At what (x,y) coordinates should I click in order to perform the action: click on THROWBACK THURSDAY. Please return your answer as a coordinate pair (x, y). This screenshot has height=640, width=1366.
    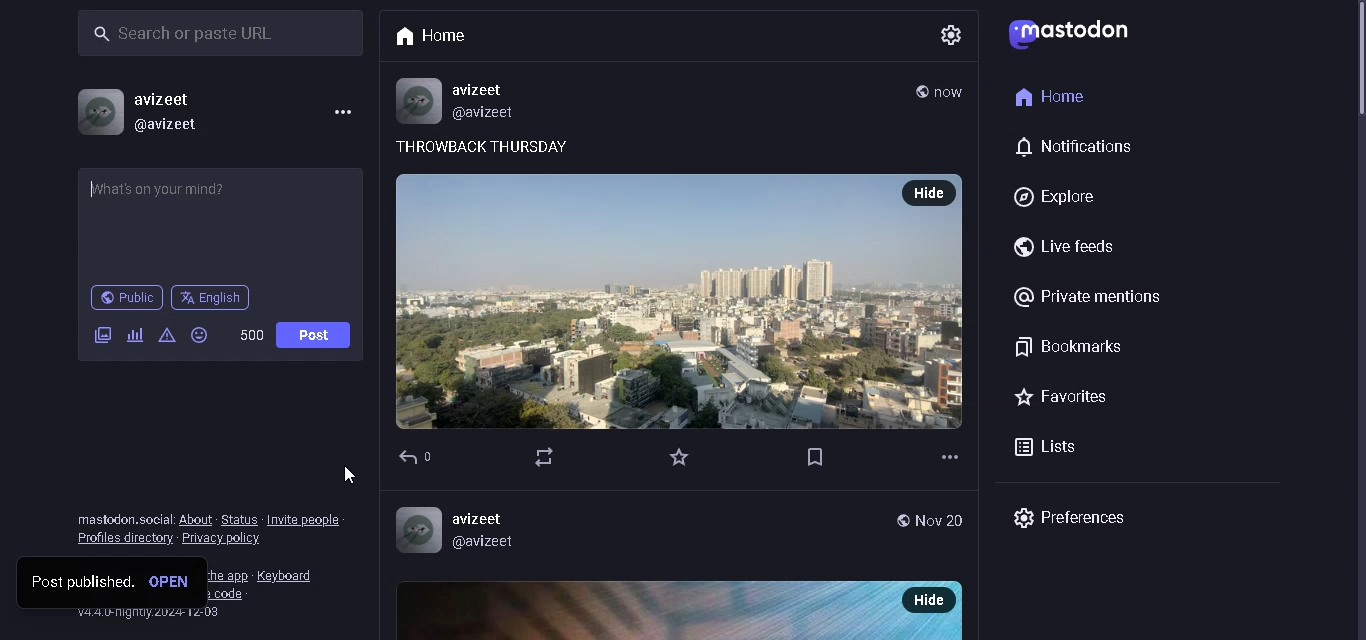
    Looking at the image, I should click on (483, 147).